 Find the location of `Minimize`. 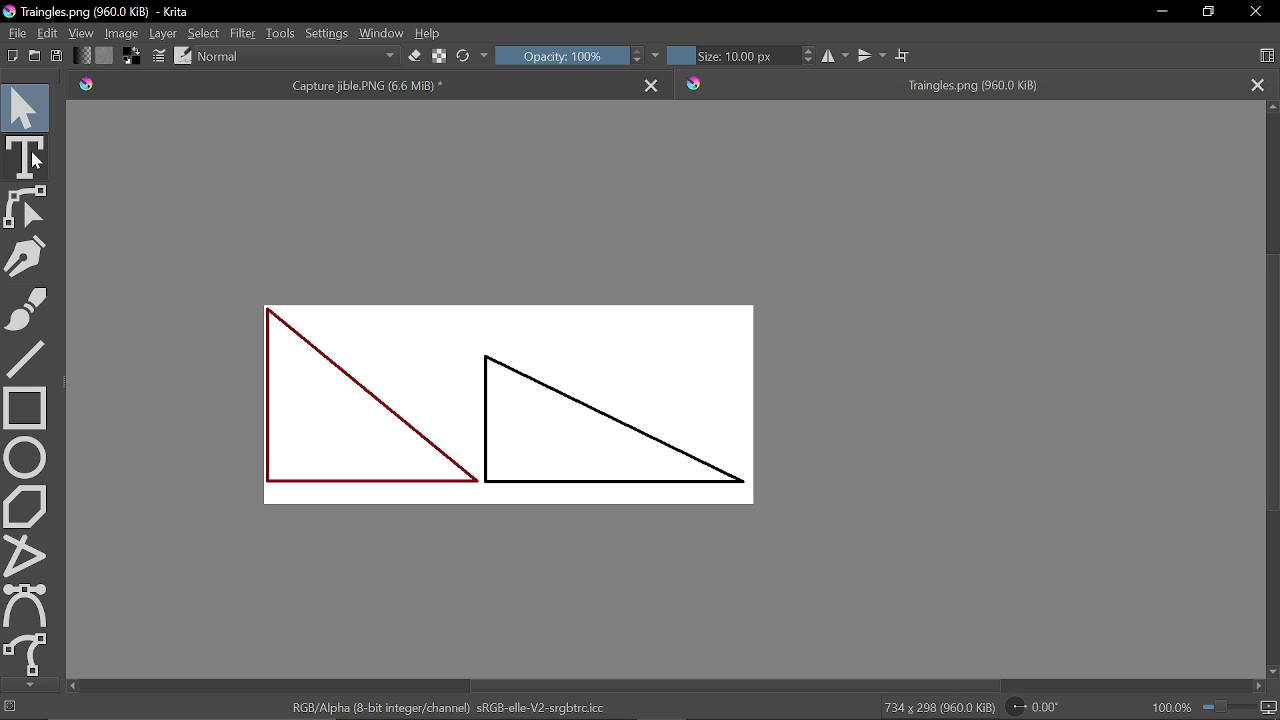

Minimize is located at coordinates (1160, 12).